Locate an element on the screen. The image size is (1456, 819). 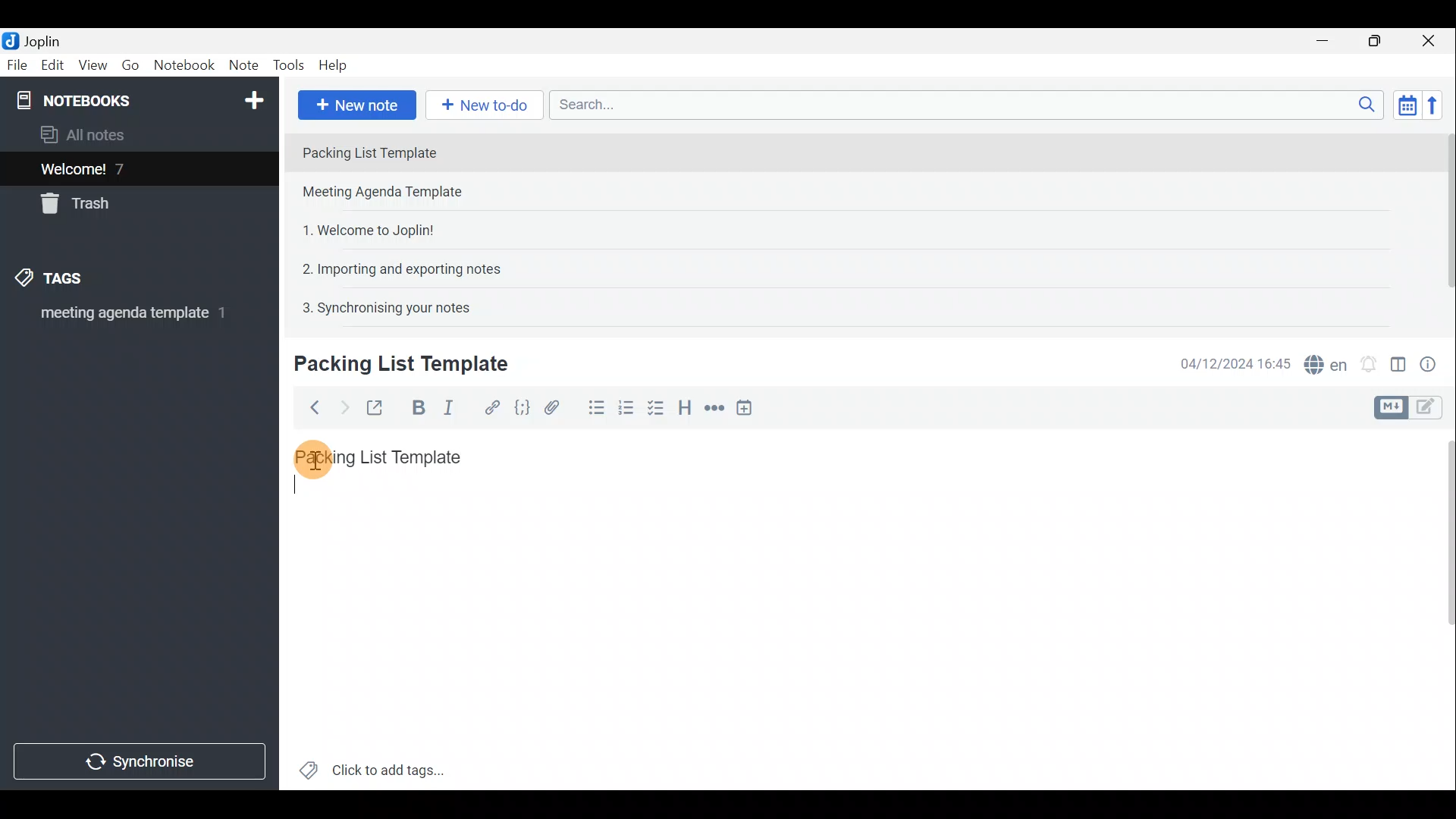
Note 5 is located at coordinates (380, 306).